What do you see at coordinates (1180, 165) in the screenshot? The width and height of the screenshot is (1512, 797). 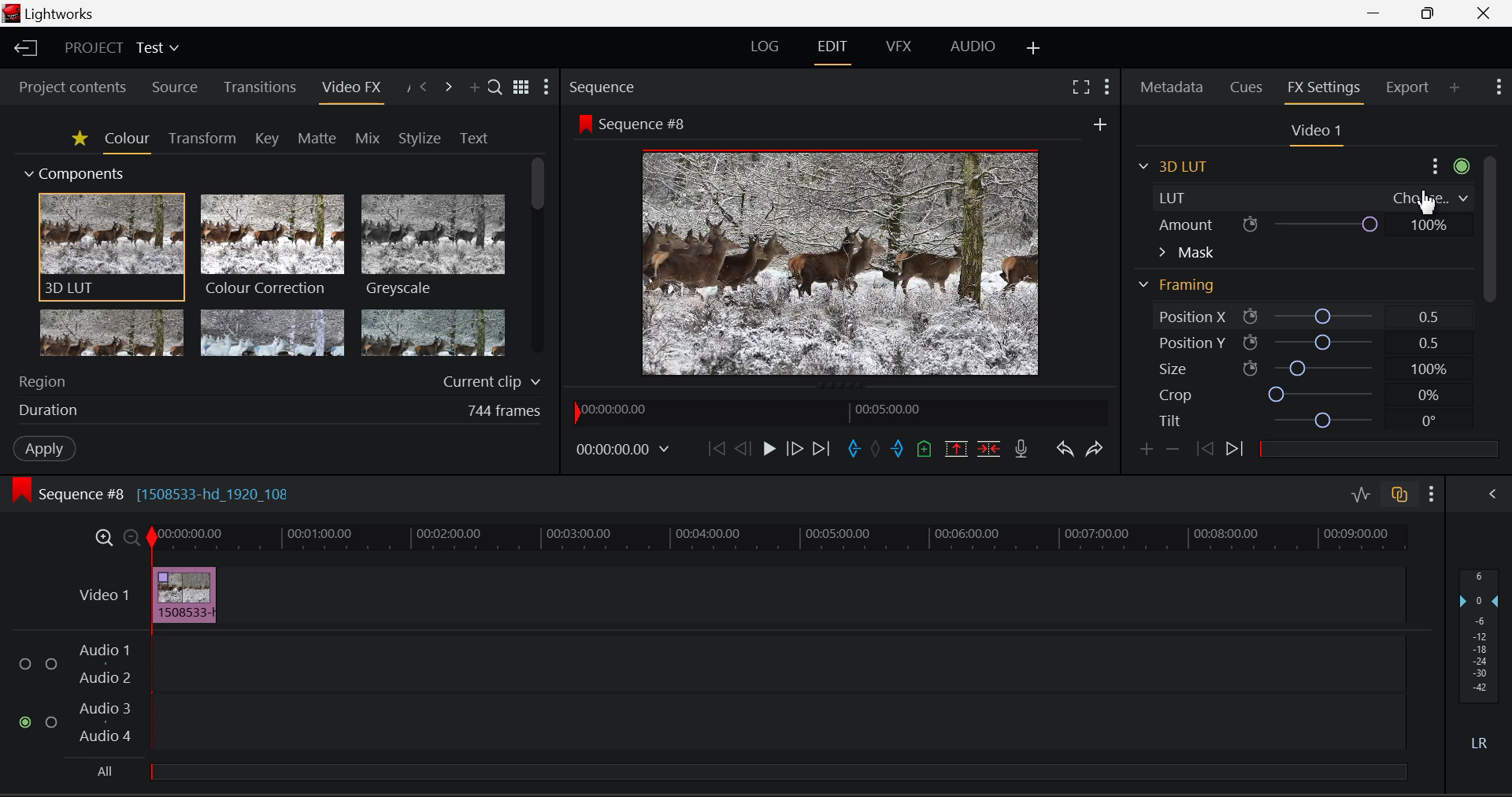 I see `3D LUT Section` at bounding box center [1180, 165].